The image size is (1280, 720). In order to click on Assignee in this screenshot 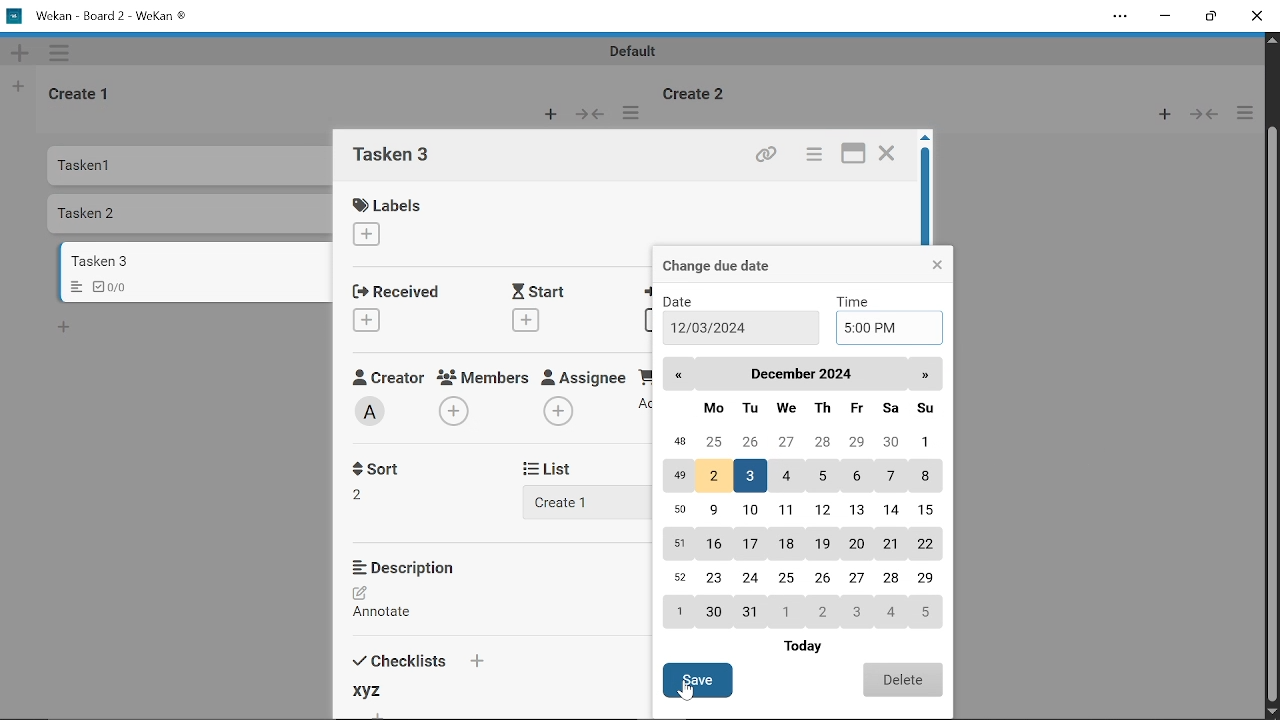, I will do `click(584, 375)`.